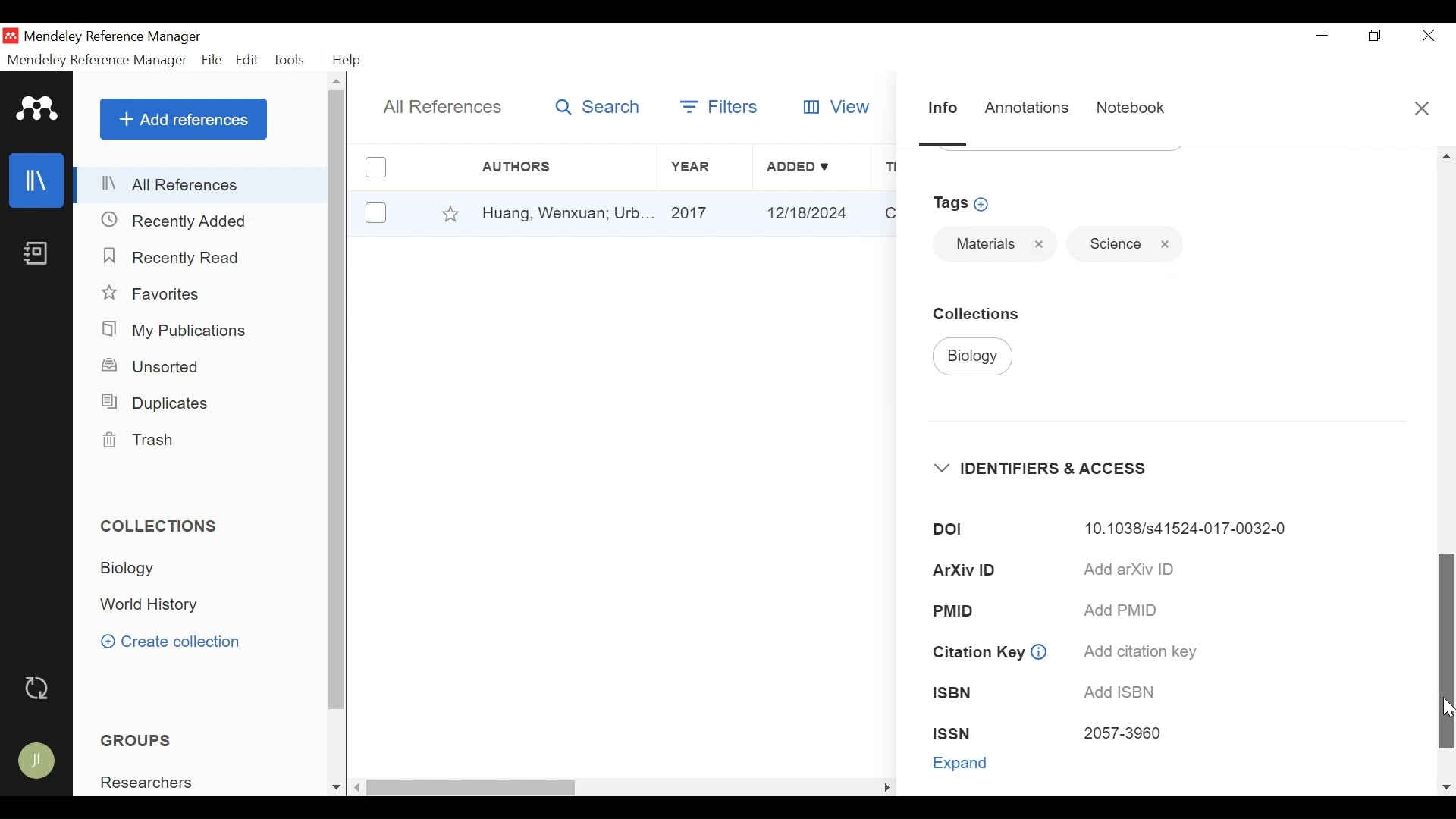  Describe the element at coordinates (975, 652) in the screenshot. I see `Citation Key` at that location.